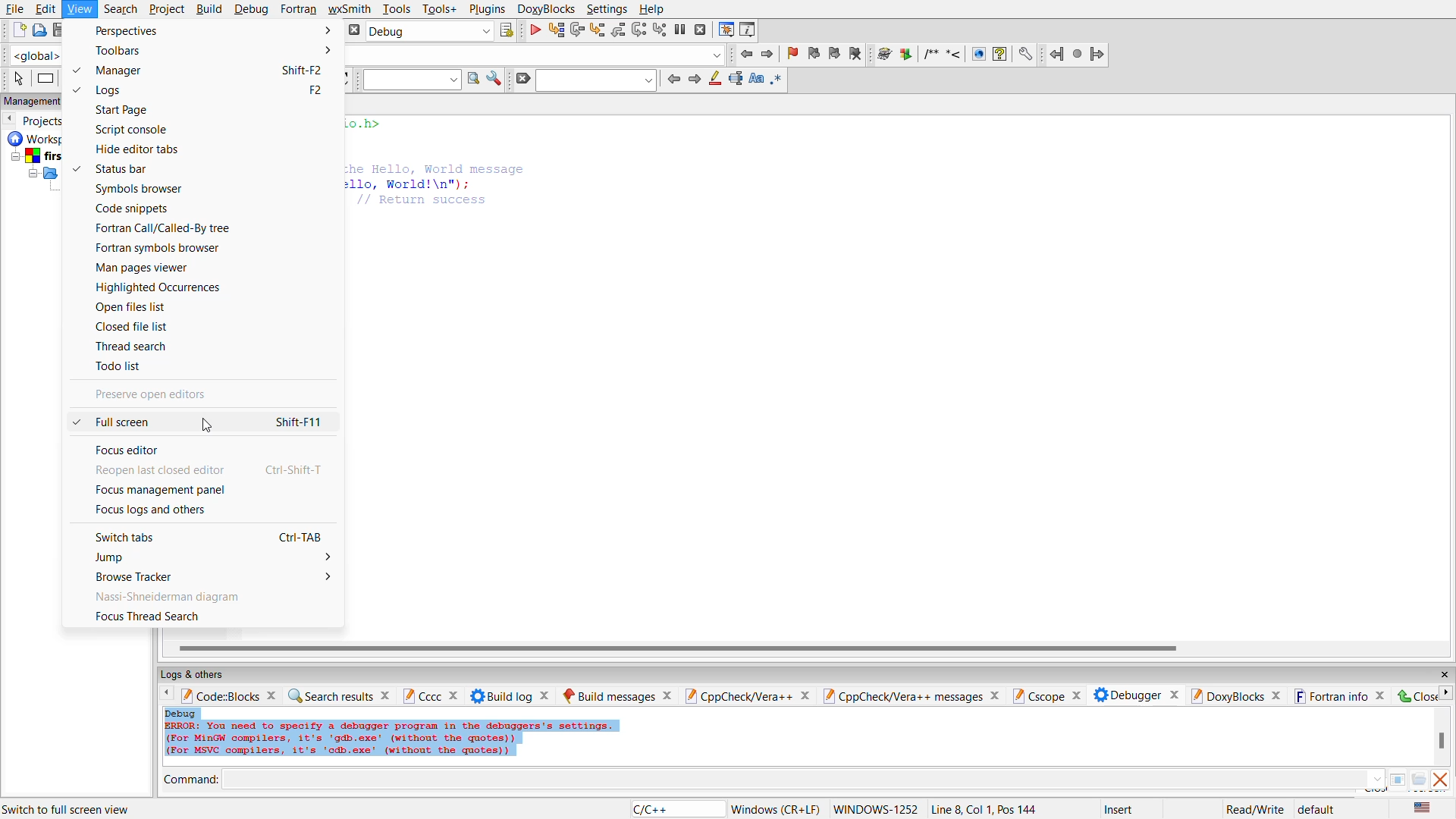 This screenshot has height=819, width=1456. Describe the element at coordinates (121, 8) in the screenshot. I see `search` at that location.